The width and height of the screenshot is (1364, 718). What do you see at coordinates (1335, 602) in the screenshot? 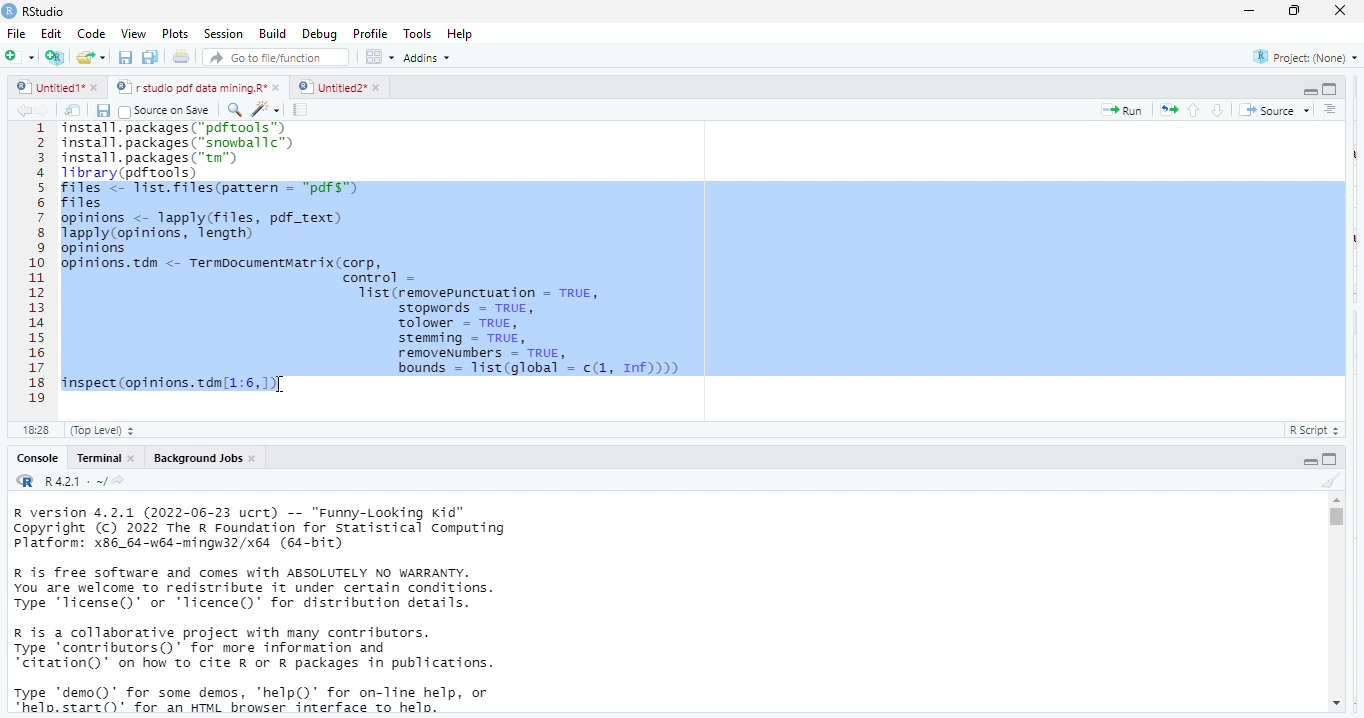
I see `vertical scroll bar` at bounding box center [1335, 602].